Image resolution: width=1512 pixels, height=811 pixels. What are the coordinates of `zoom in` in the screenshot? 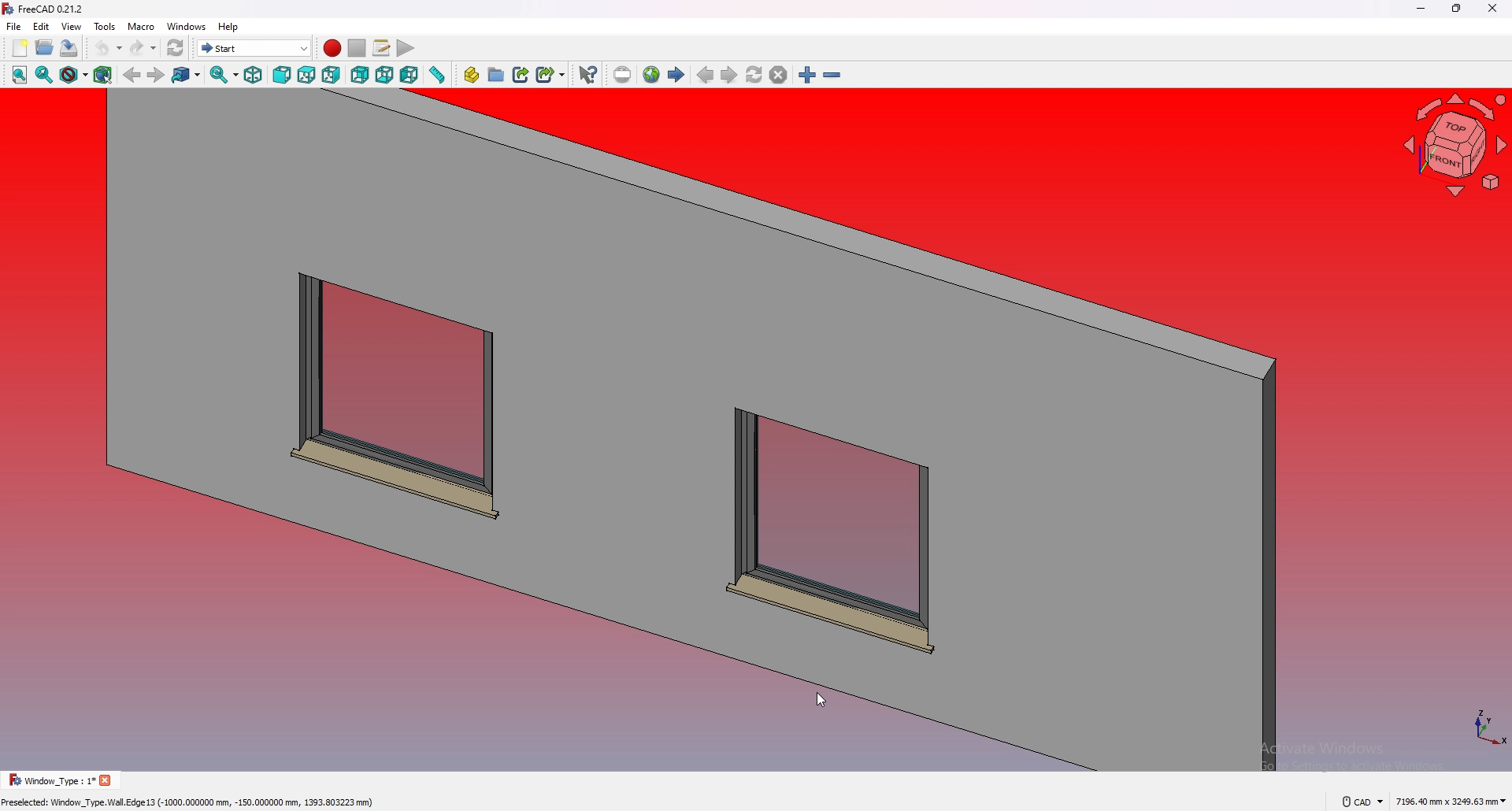 It's located at (807, 76).